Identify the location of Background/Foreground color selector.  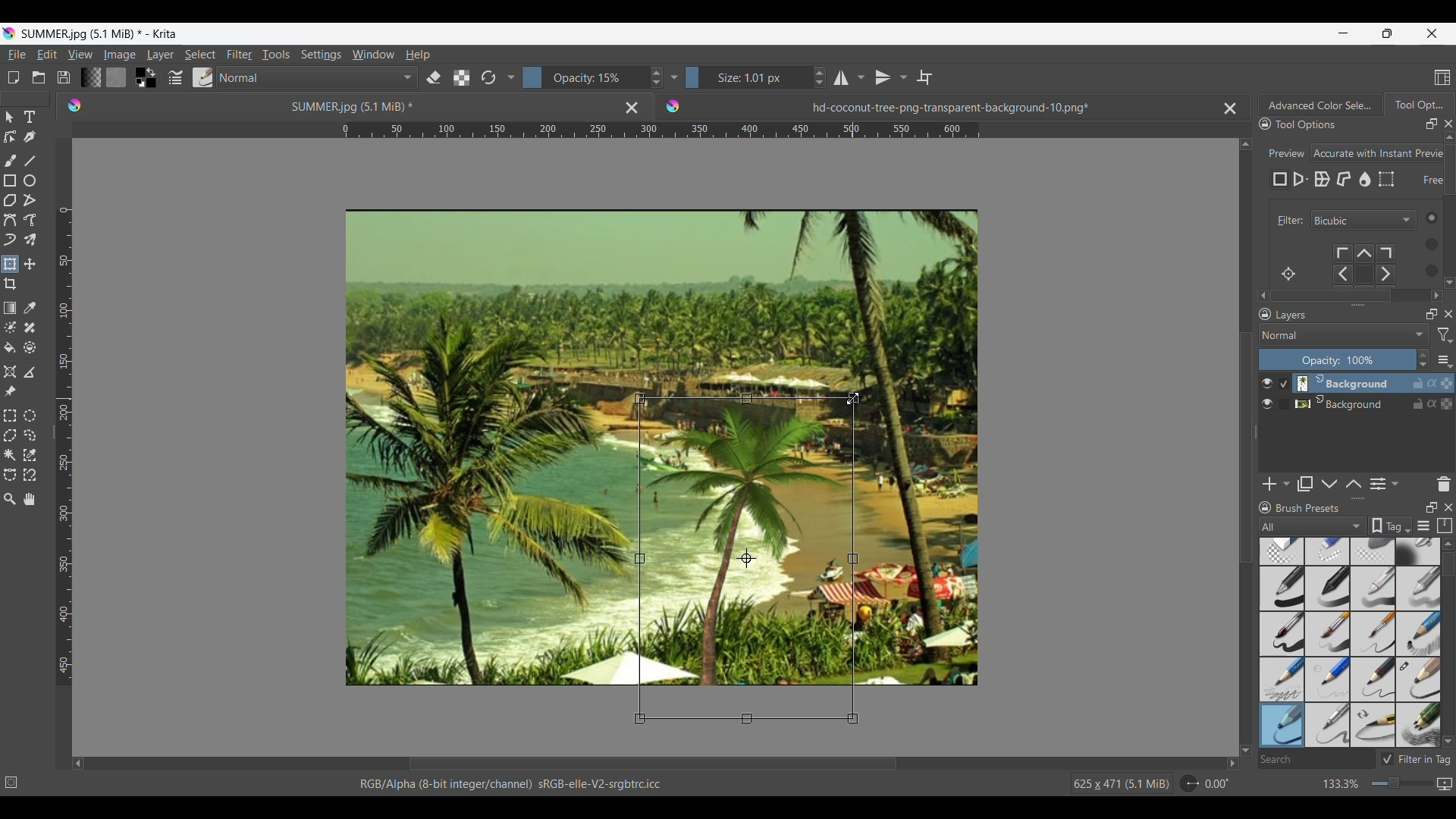
(145, 77).